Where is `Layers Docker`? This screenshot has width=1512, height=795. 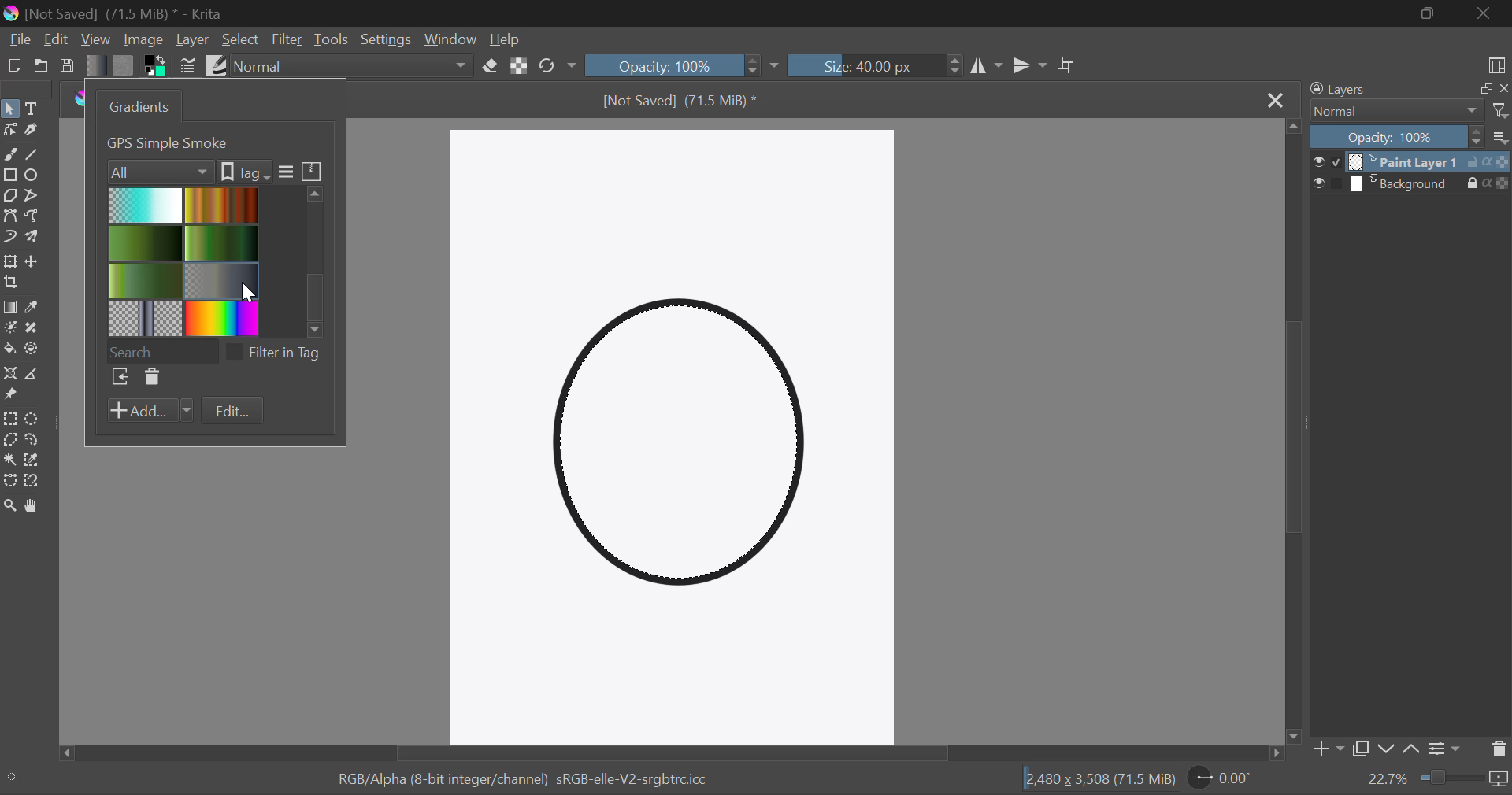
Layers Docker is located at coordinates (1352, 89).